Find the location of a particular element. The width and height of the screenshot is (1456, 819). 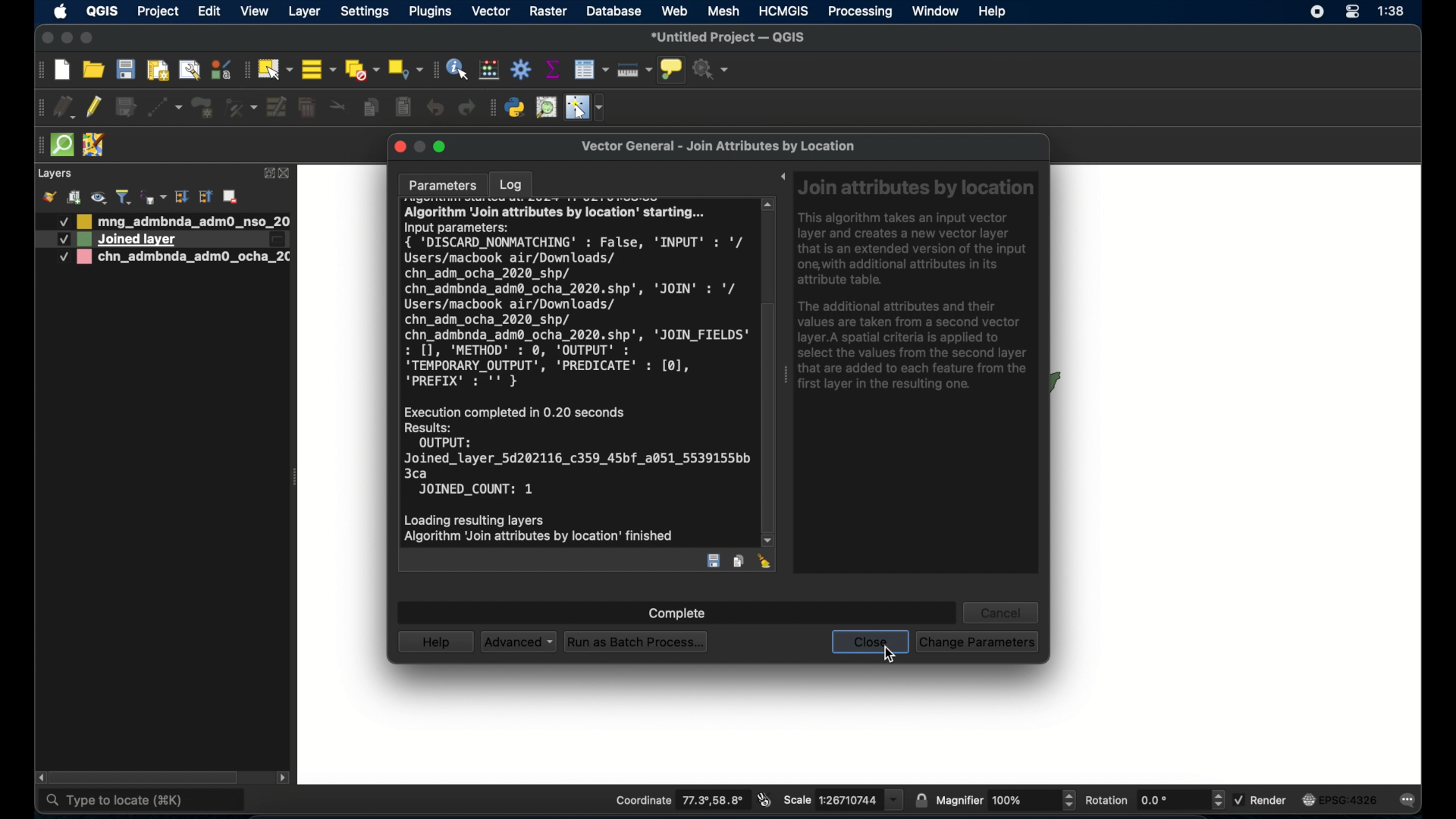

modify attributes is located at coordinates (275, 108).